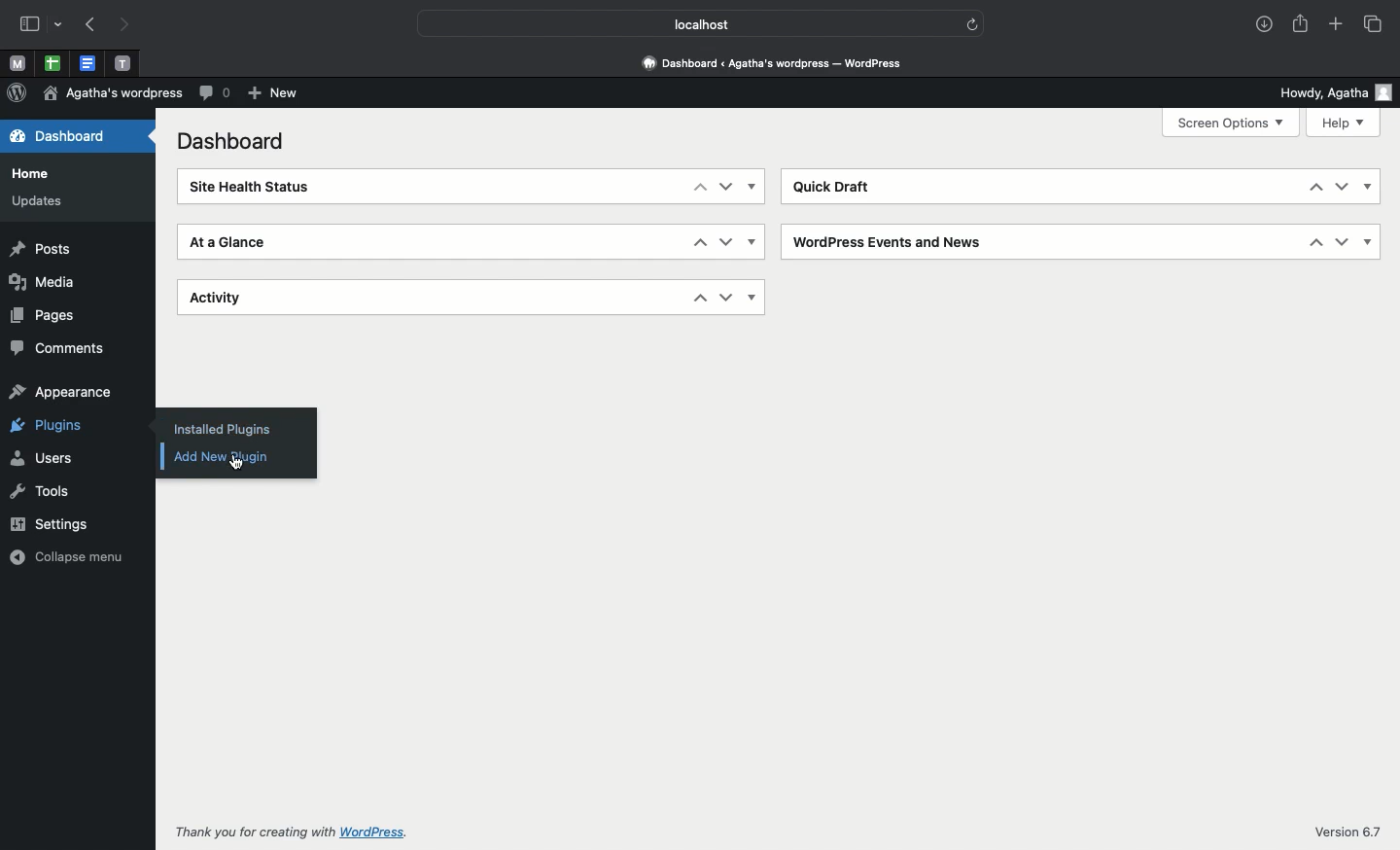 The image size is (1400, 850). What do you see at coordinates (726, 184) in the screenshot?
I see `Down` at bounding box center [726, 184].